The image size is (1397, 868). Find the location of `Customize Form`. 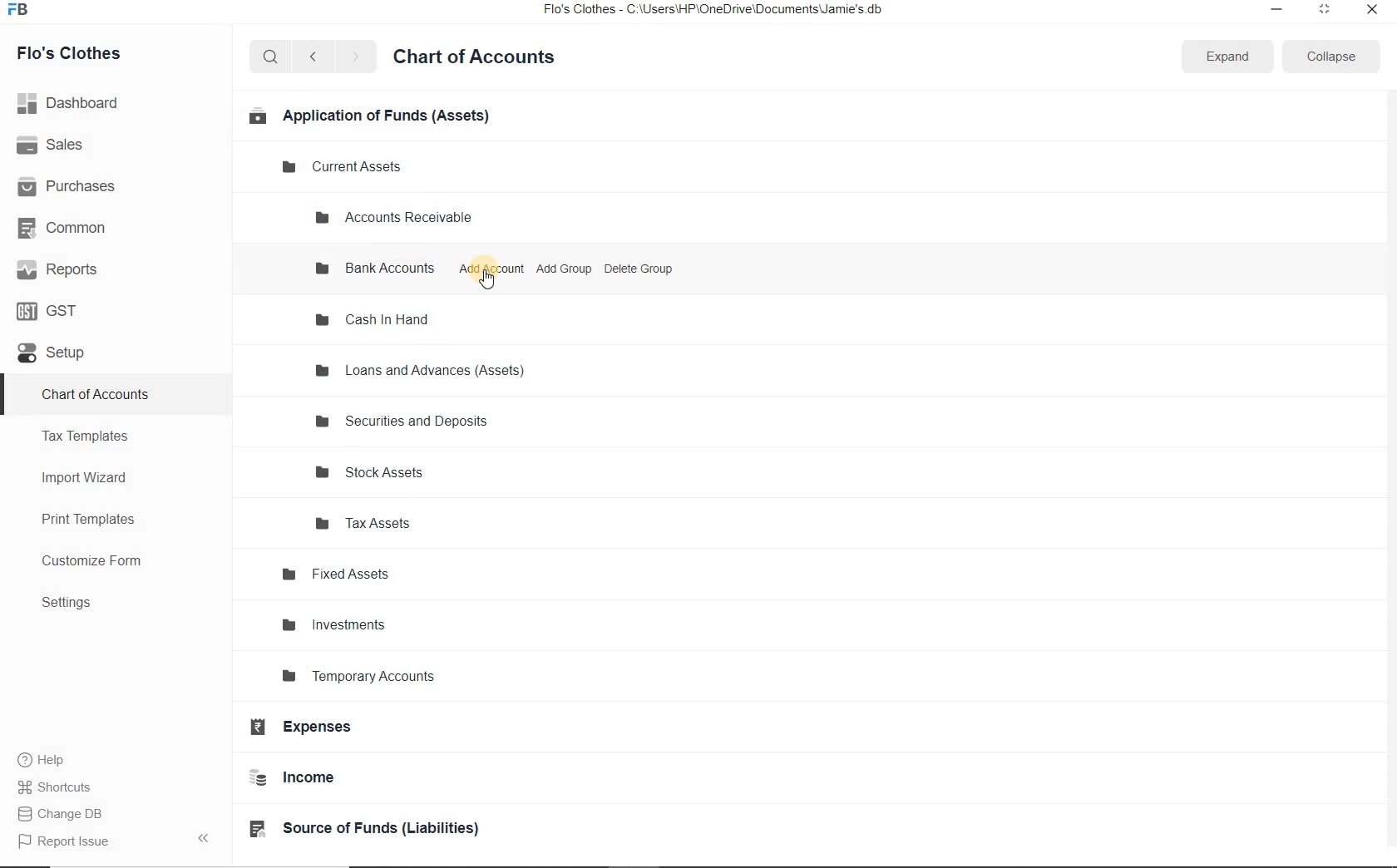

Customize Form is located at coordinates (99, 562).